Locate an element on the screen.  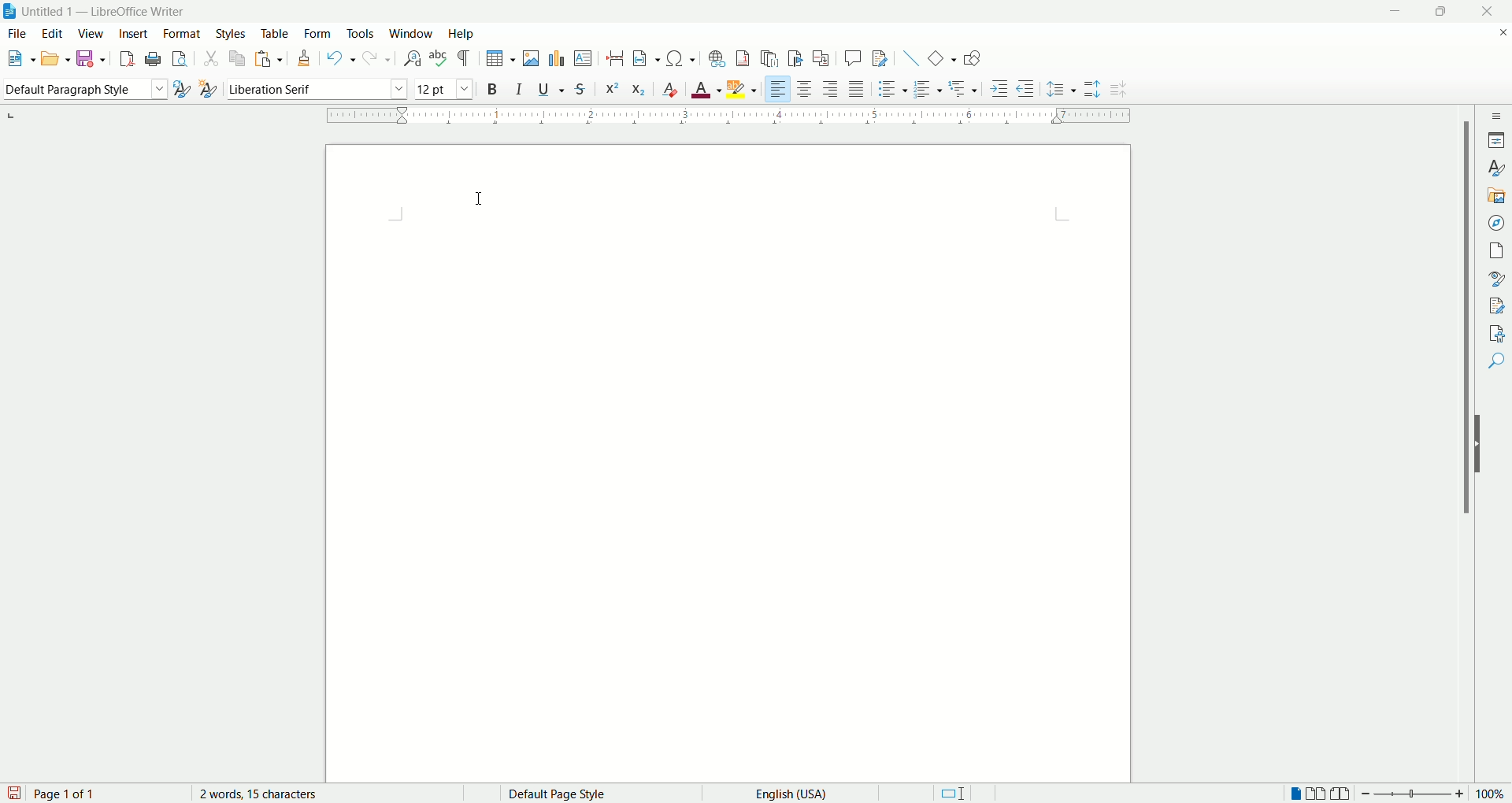
update style is located at coordinates (182, 89).